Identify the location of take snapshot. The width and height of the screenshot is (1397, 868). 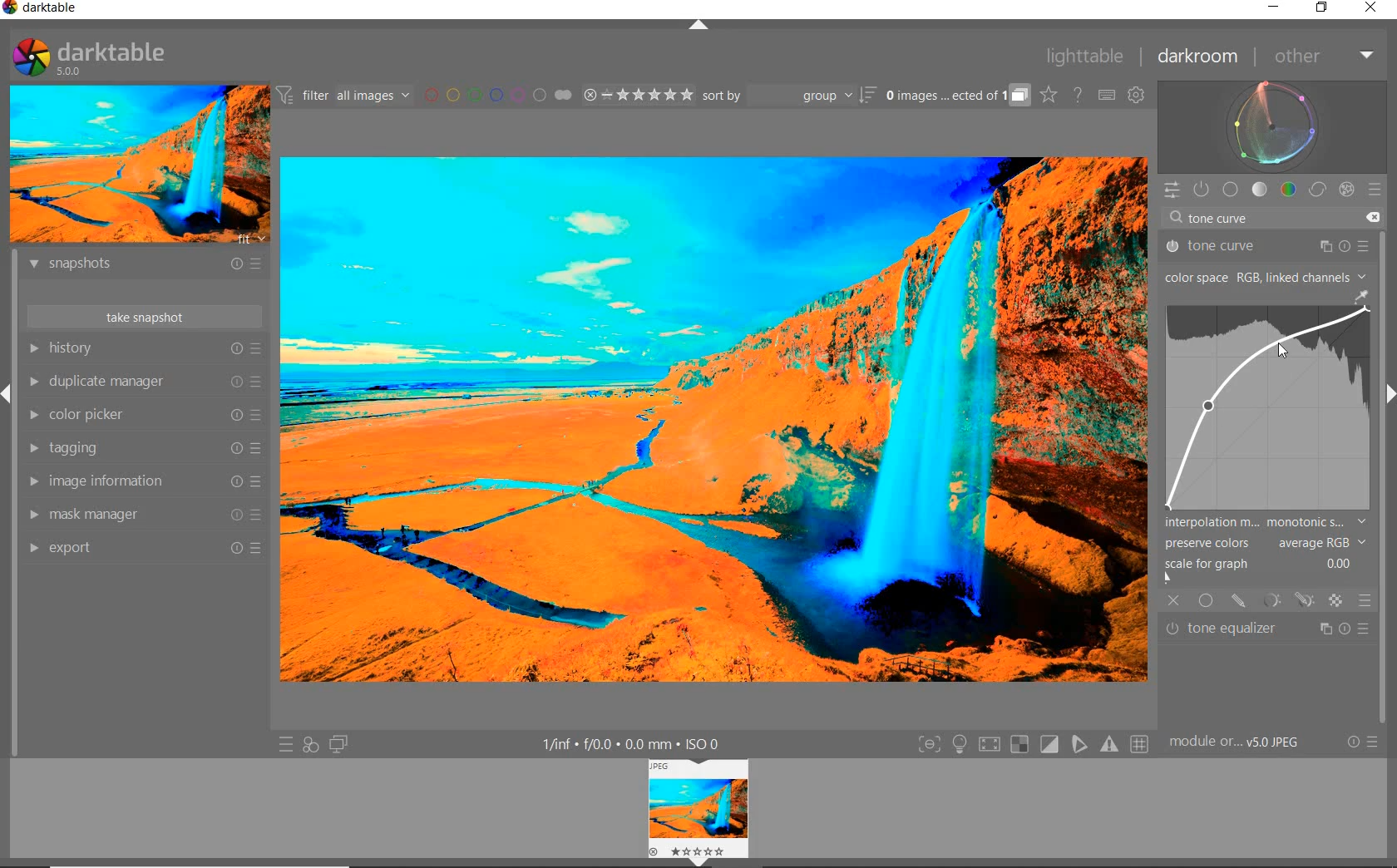
(144, 315).